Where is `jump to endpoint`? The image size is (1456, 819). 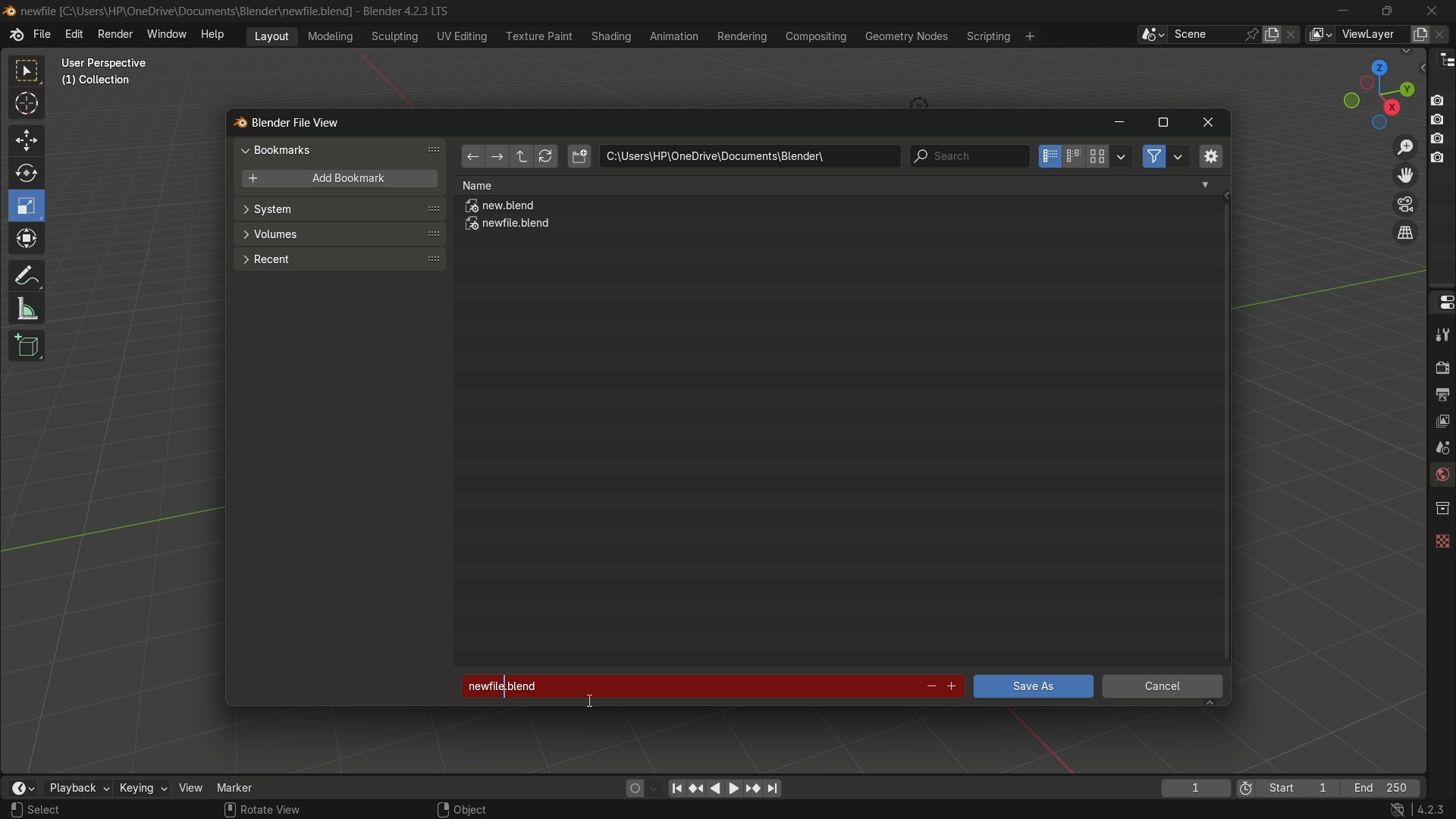
jump to endpoint is located at coordinates (773, 789).